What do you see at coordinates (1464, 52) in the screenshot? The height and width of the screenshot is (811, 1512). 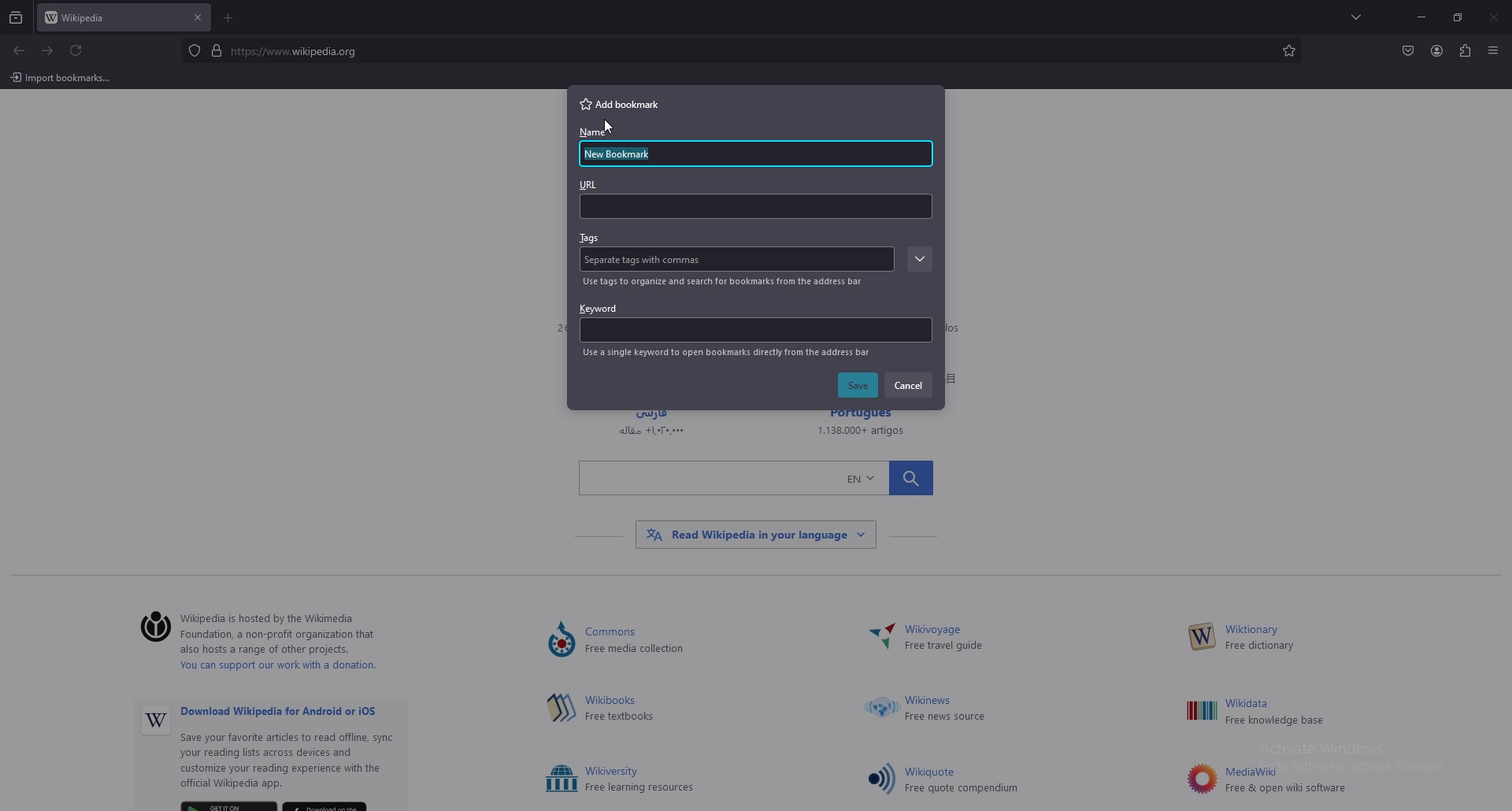 I see `extensions` at bounding box center [1464, 52].